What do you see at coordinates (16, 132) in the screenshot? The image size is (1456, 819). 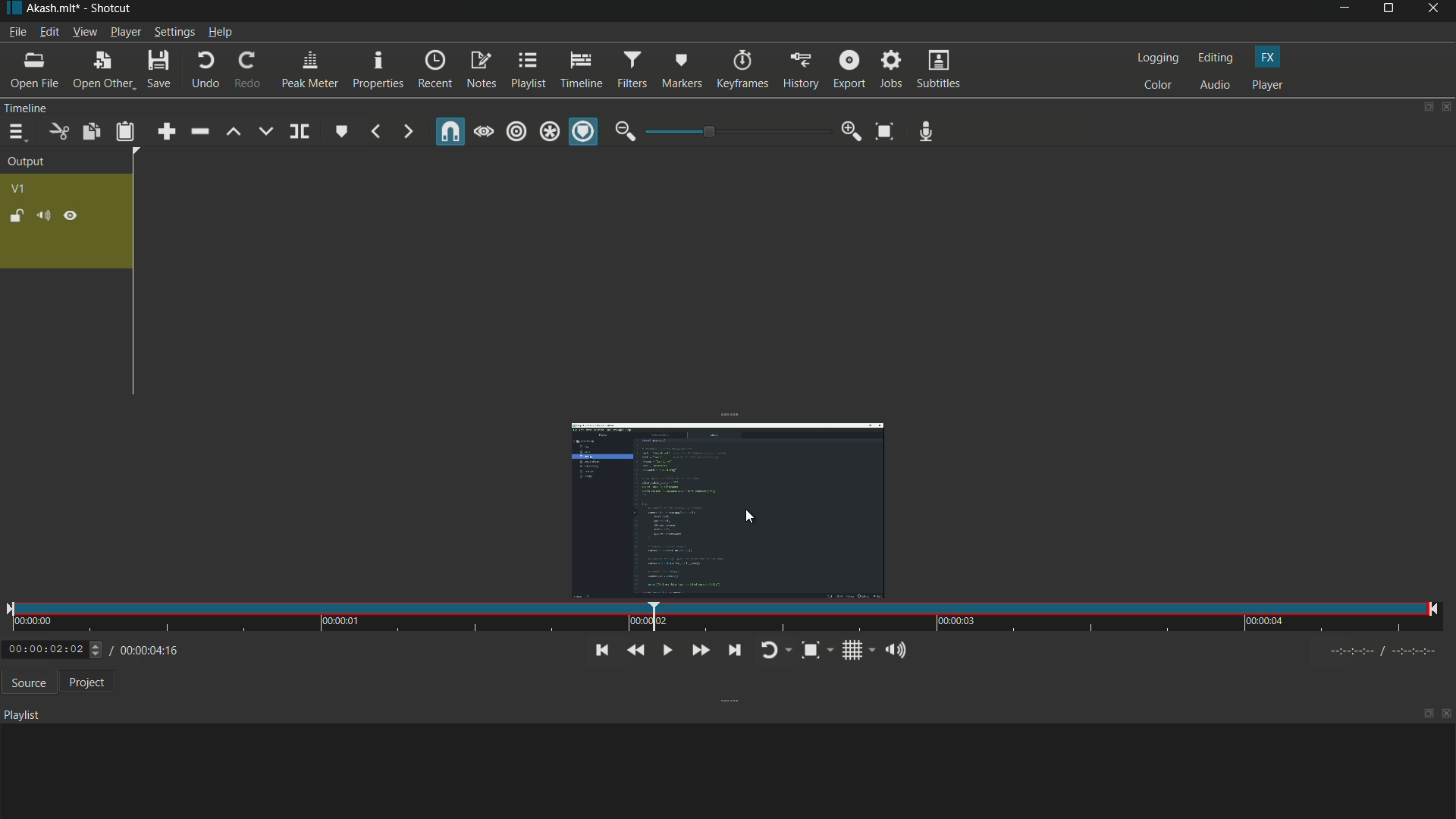 I see `timeline menu` at bounding box center [16, 132].